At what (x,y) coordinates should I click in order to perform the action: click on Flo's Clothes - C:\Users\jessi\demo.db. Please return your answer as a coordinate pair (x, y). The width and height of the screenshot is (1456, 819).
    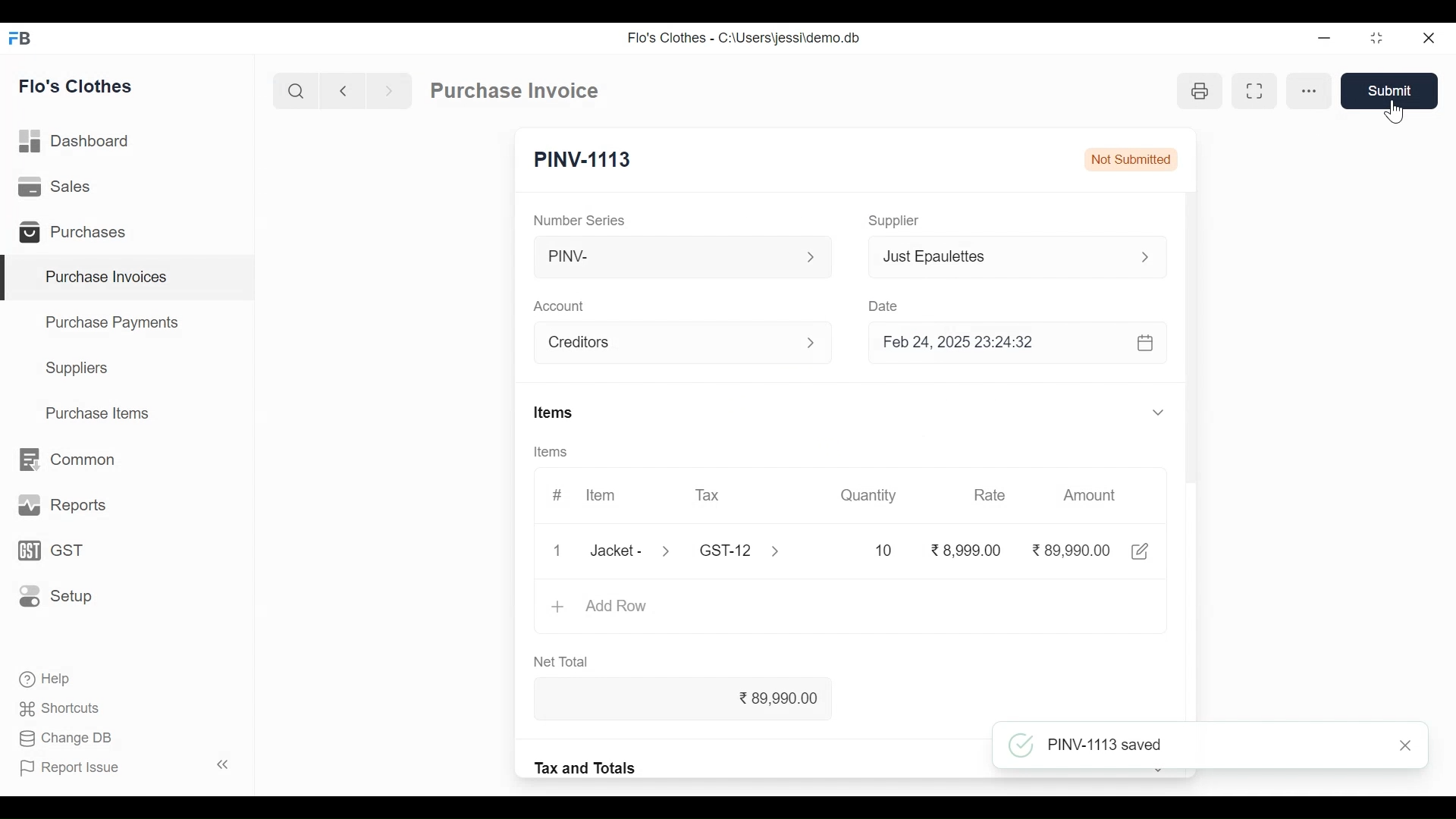
    Looking at the image, I should click on (746, 36).